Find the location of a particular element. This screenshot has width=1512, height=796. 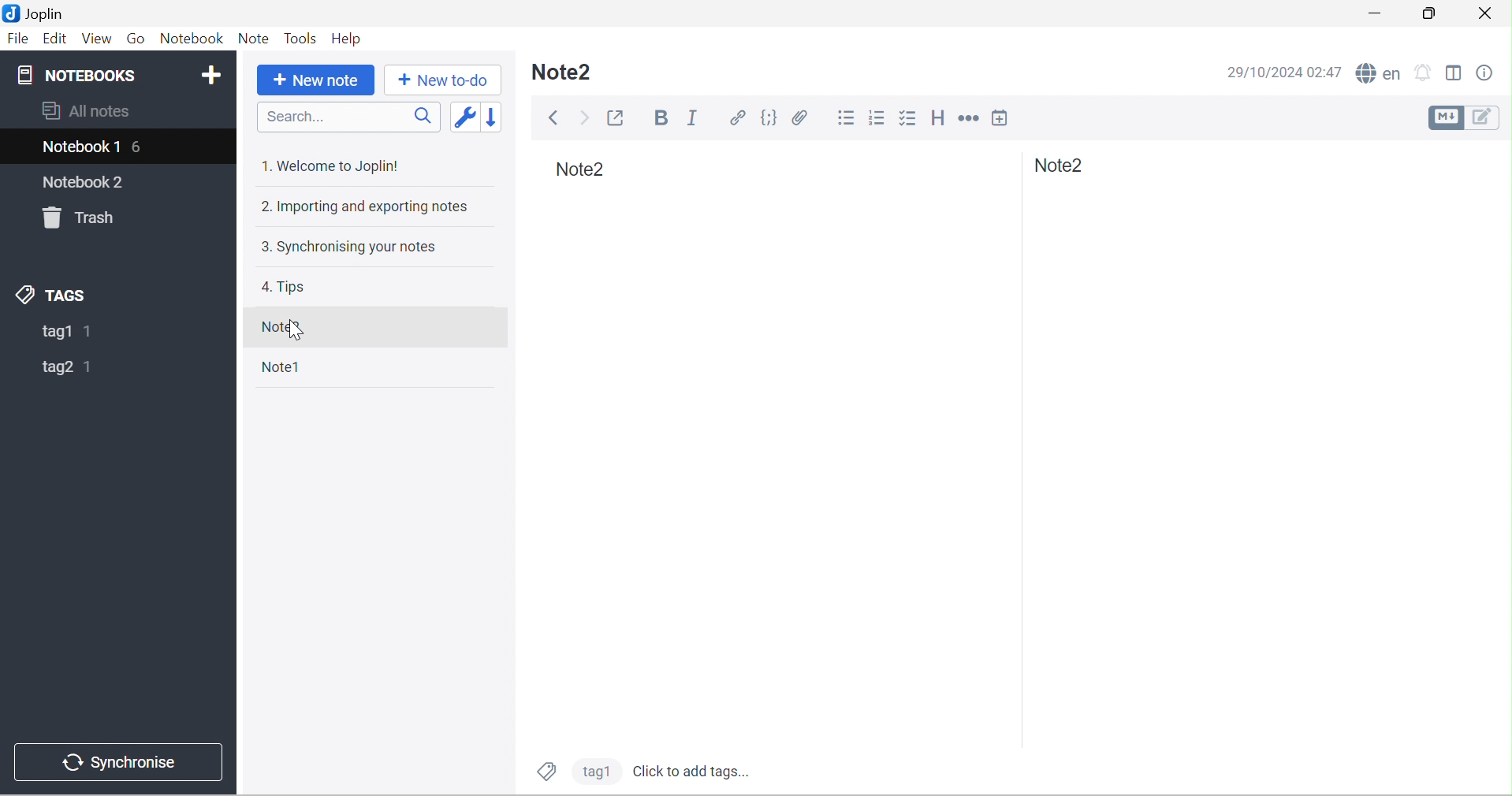

notebook2 is located at coordinates (77, 182).